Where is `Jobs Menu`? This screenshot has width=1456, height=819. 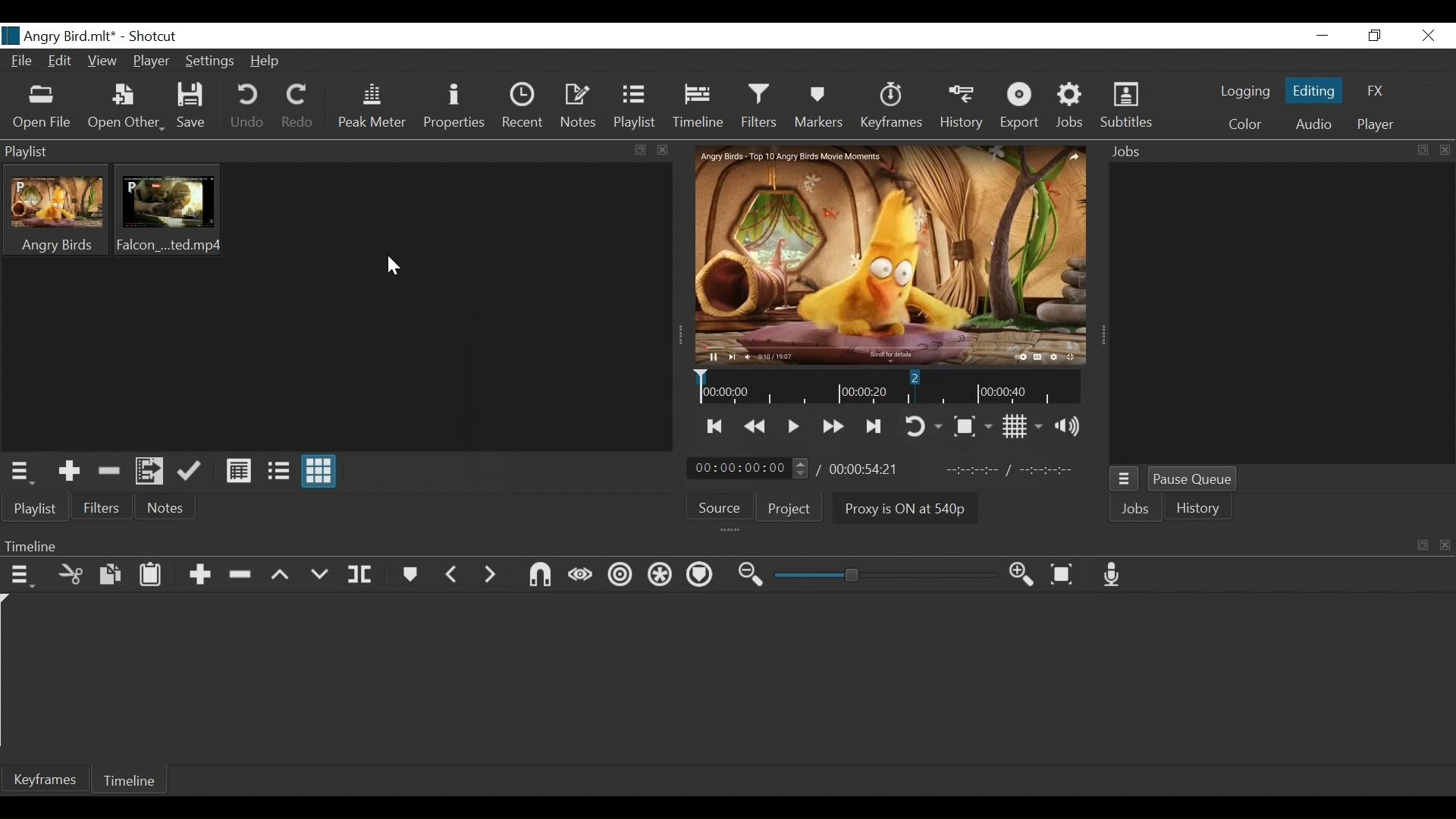
Jobs Menu is located at coordinates (1123, 479).